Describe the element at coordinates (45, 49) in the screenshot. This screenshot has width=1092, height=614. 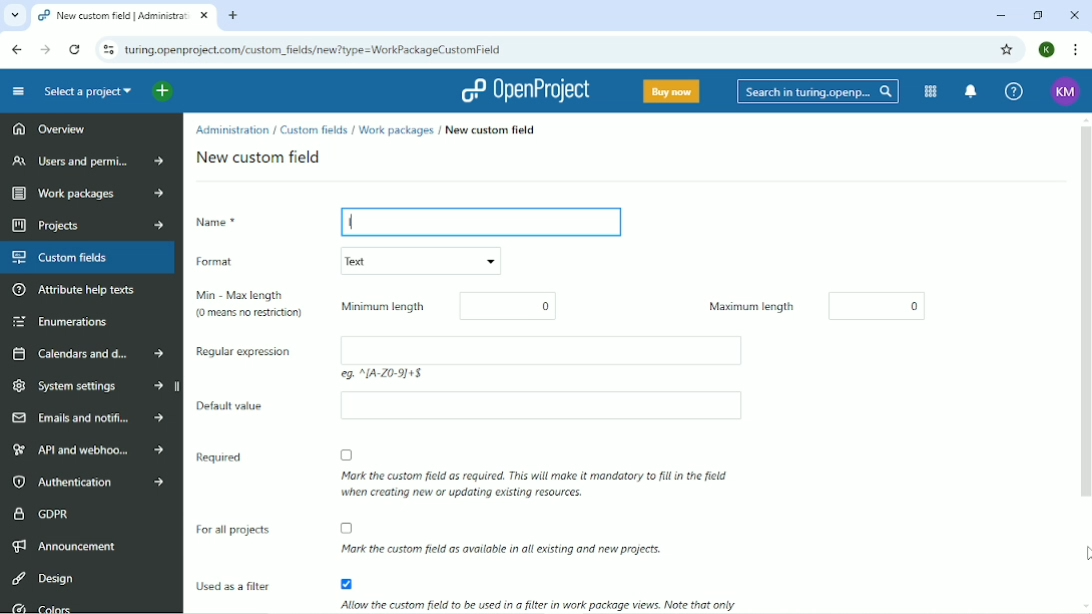
I see `Forward` at that location.